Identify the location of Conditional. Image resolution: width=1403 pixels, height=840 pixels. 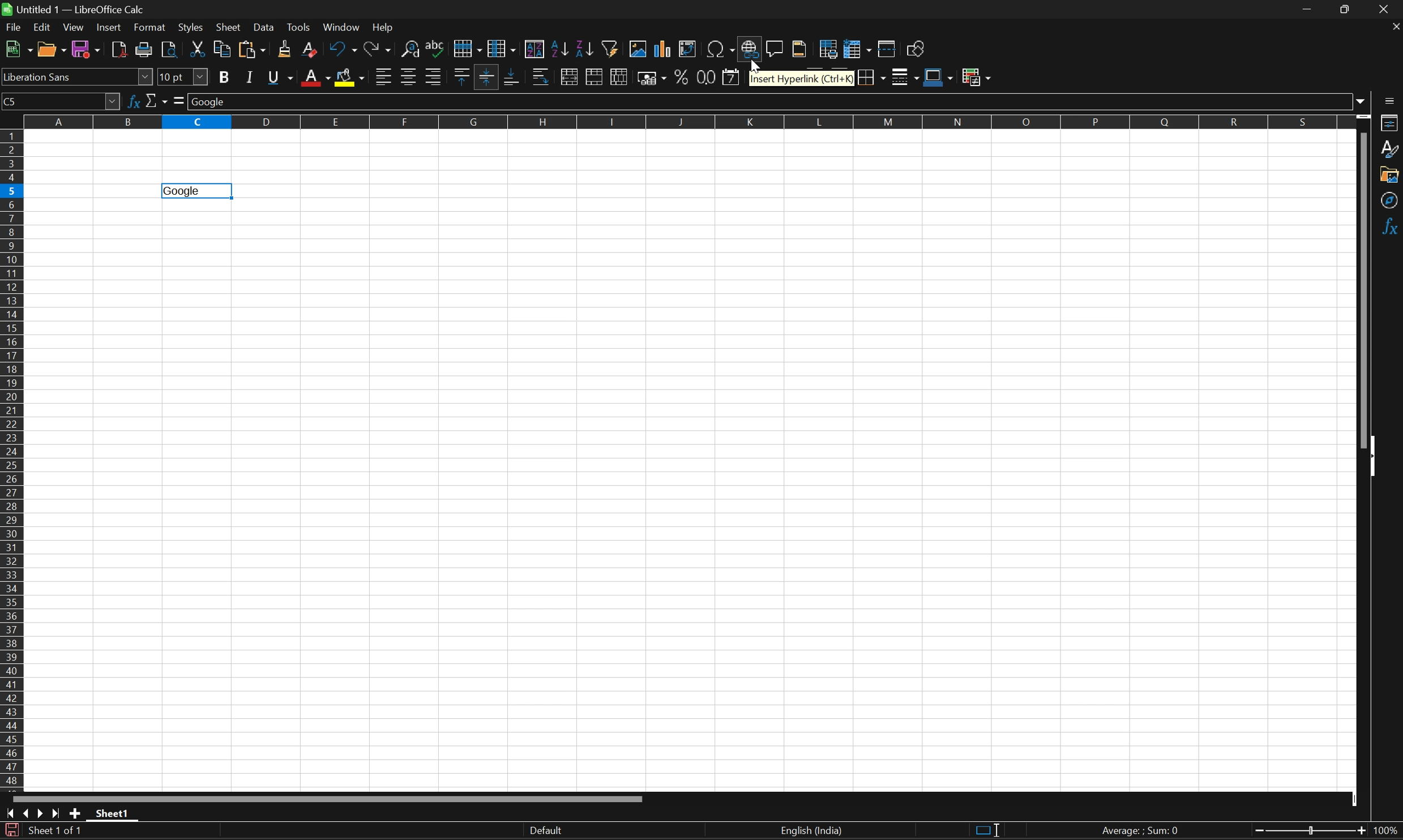
(977, 76).